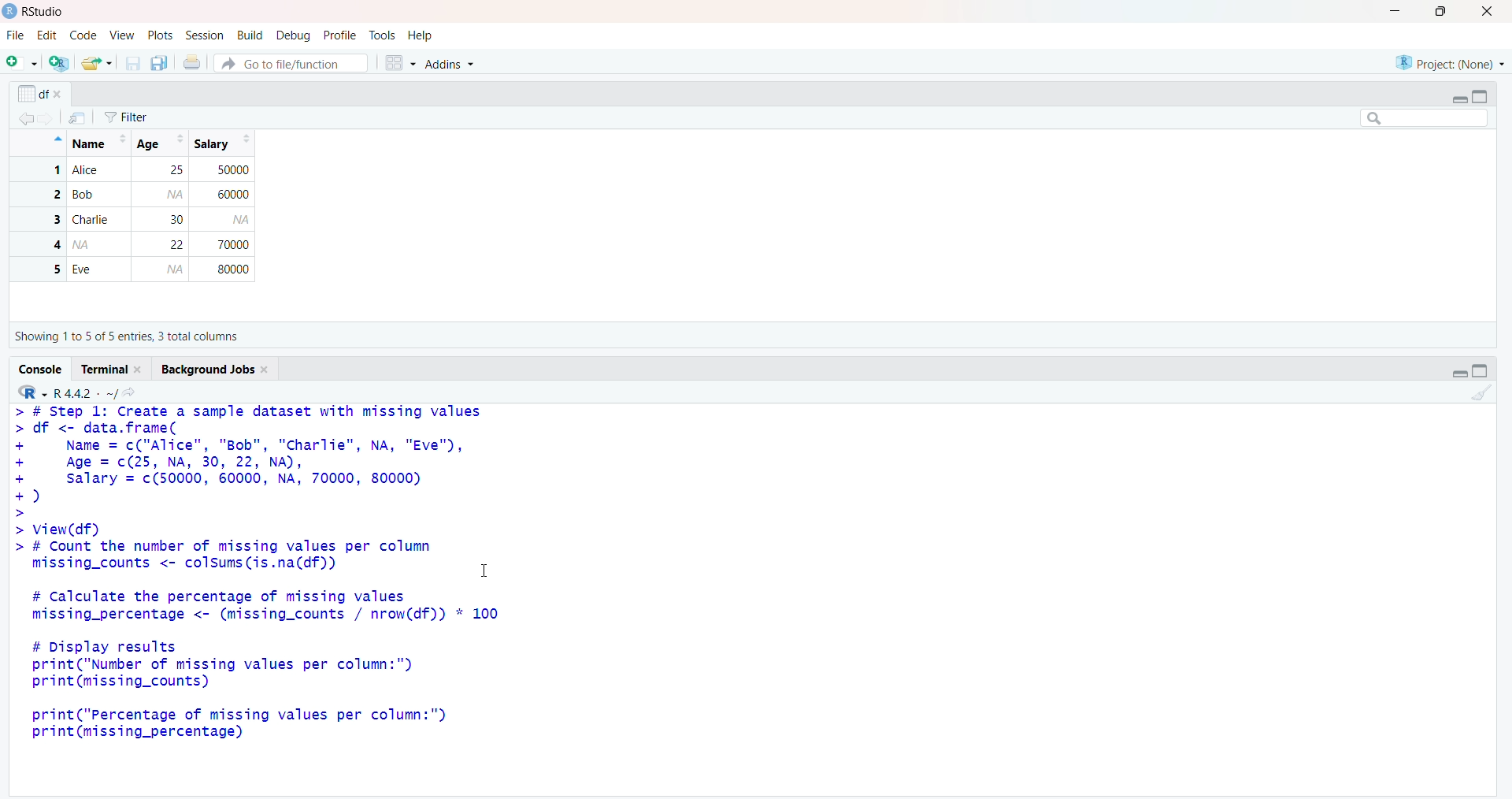  I want to click on Addins, so click(458, 61).